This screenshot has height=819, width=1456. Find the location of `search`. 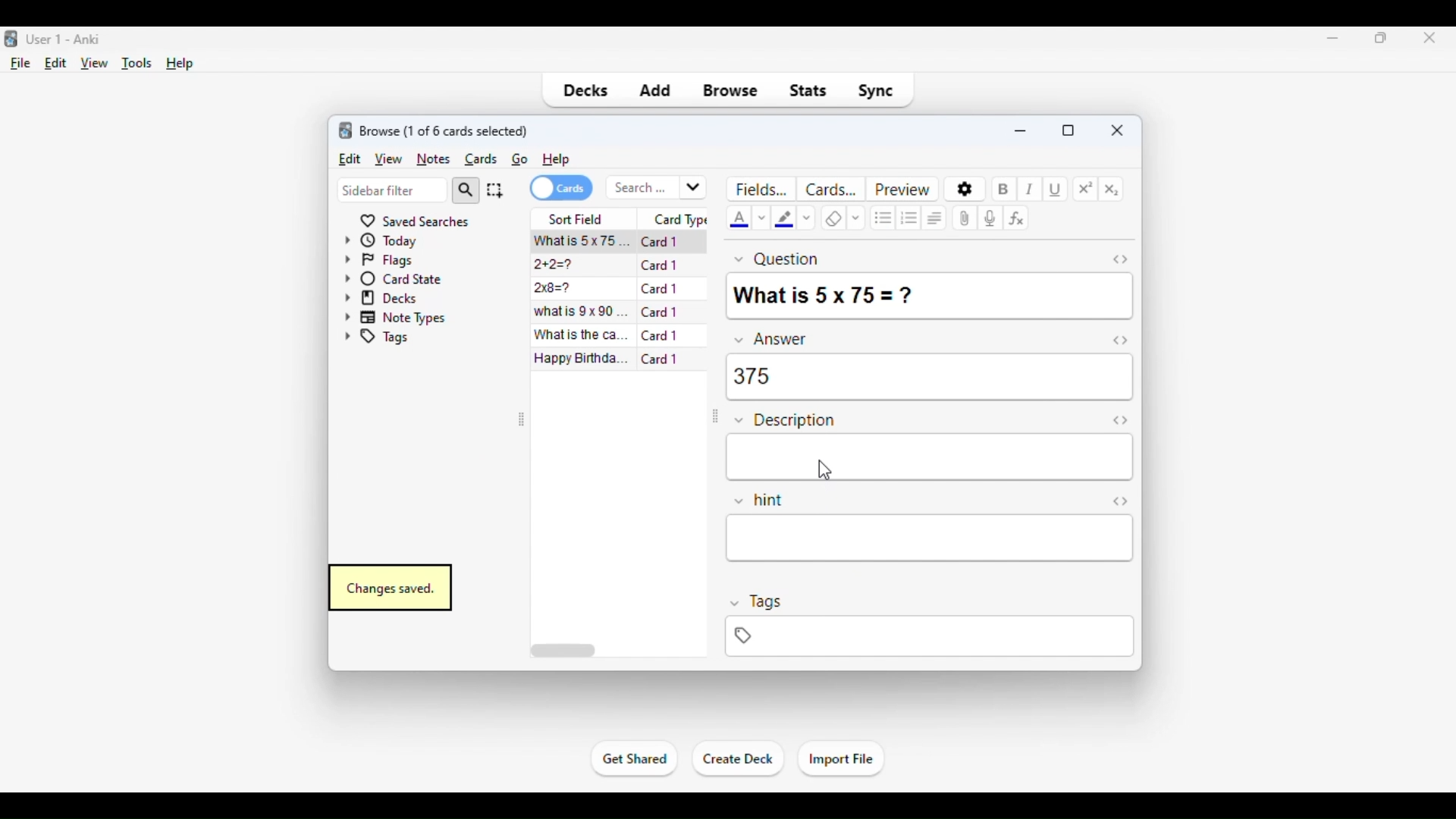

search is located at coordinates (465, 190).